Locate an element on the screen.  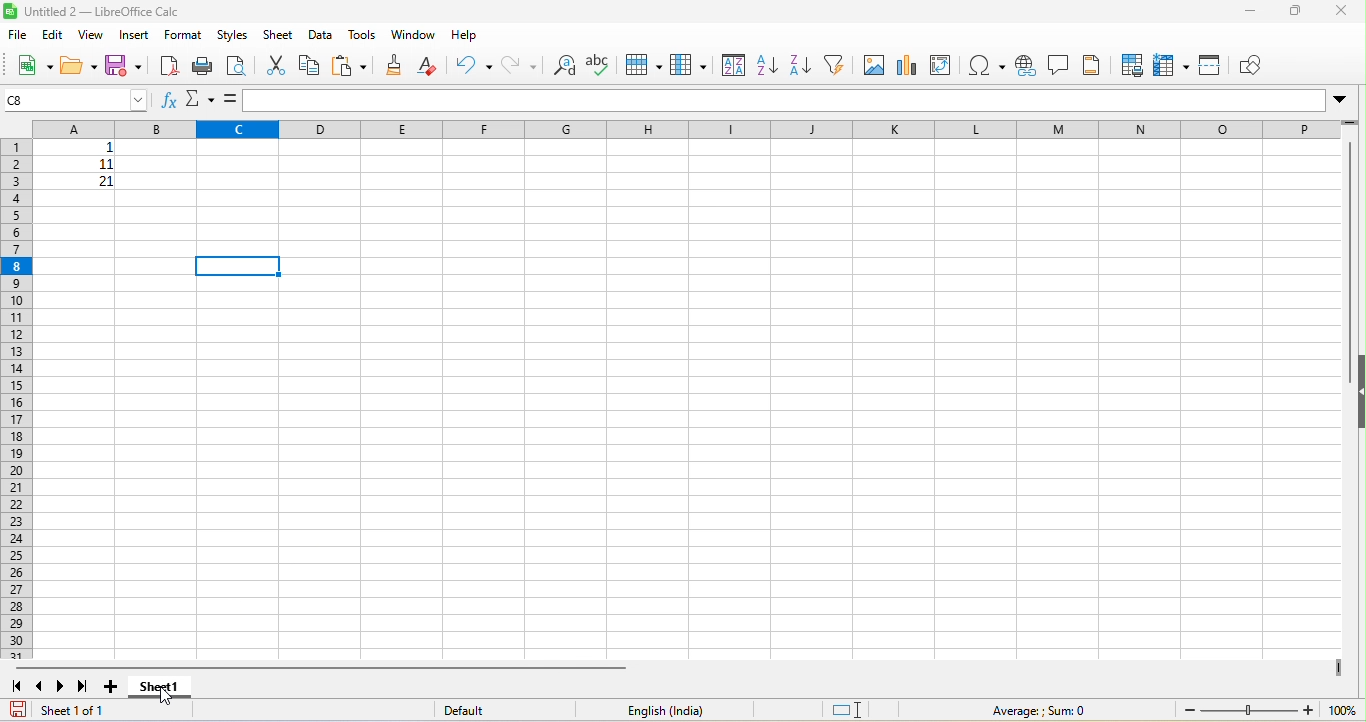
sheet is located at coordinates (280, 35).